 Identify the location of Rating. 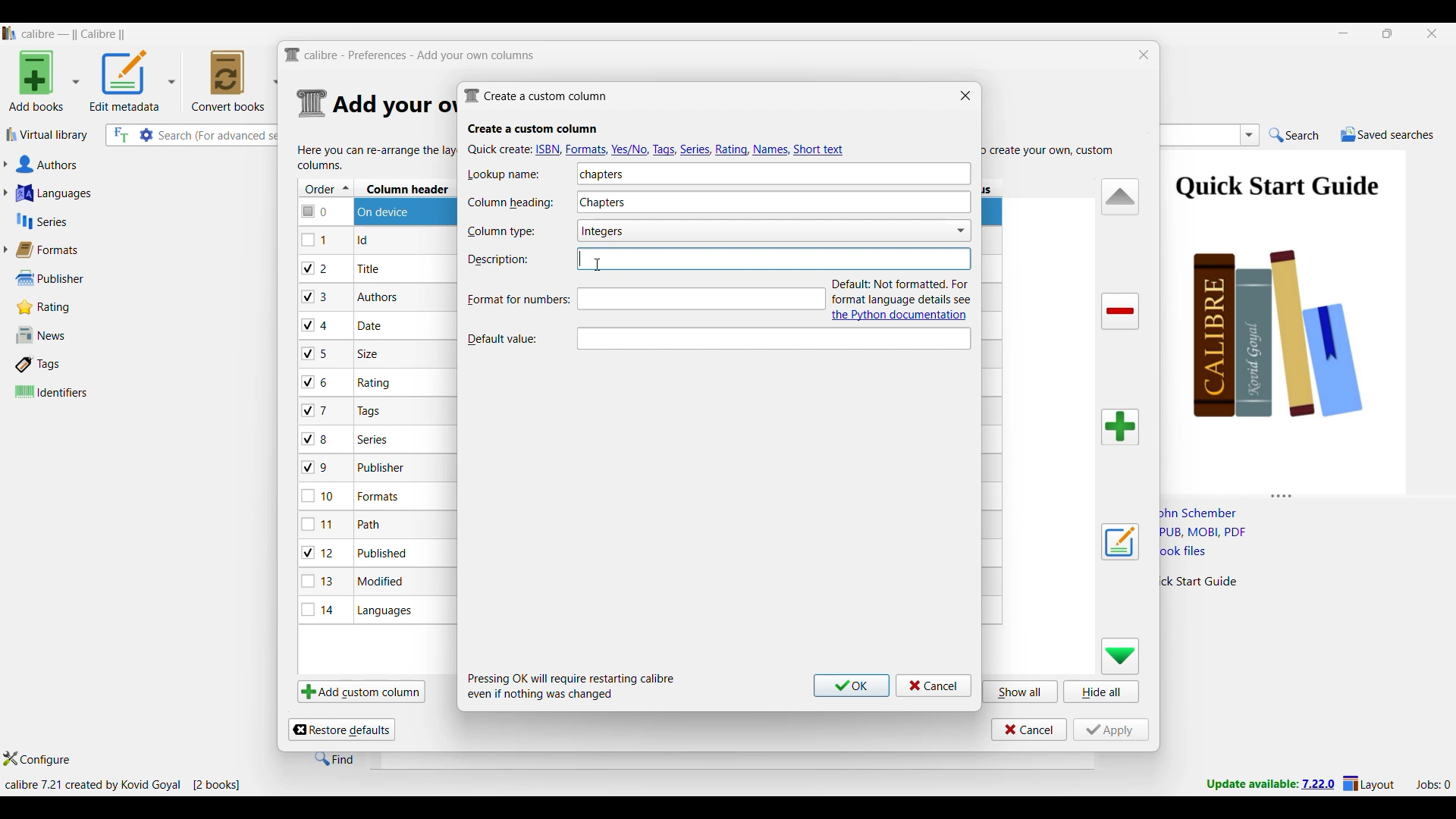
(52, 307).